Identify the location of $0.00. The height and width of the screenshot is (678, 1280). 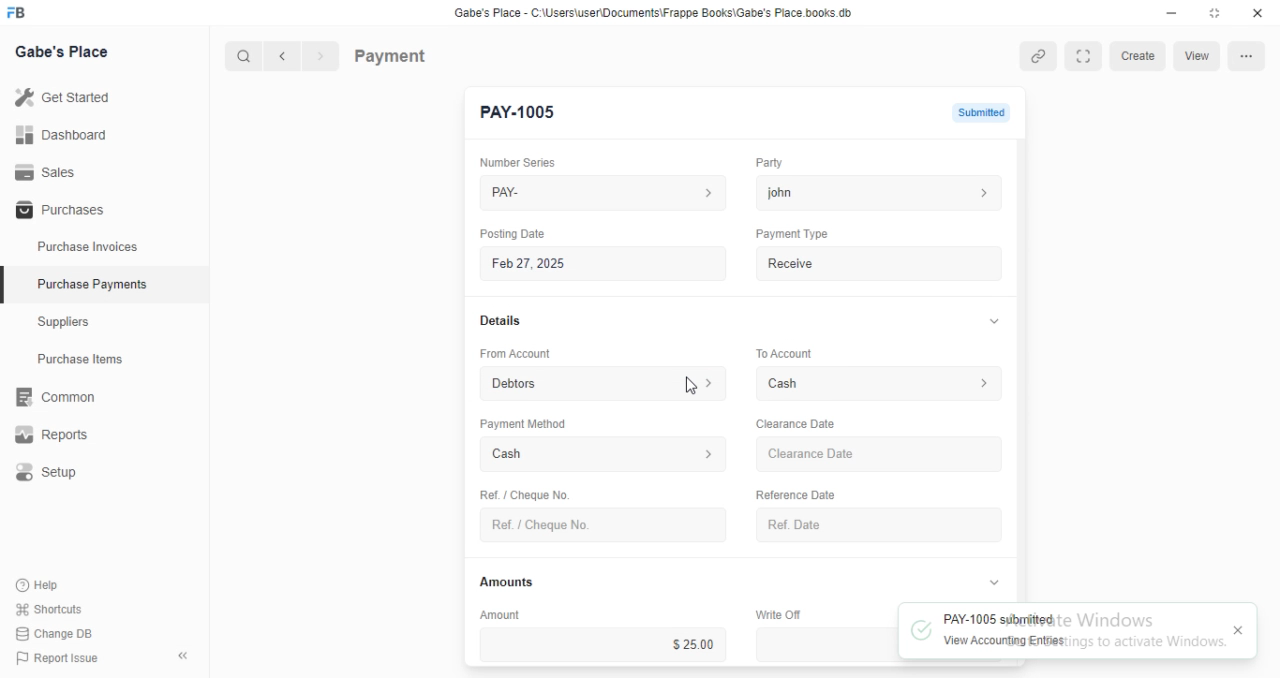
(826, 644).